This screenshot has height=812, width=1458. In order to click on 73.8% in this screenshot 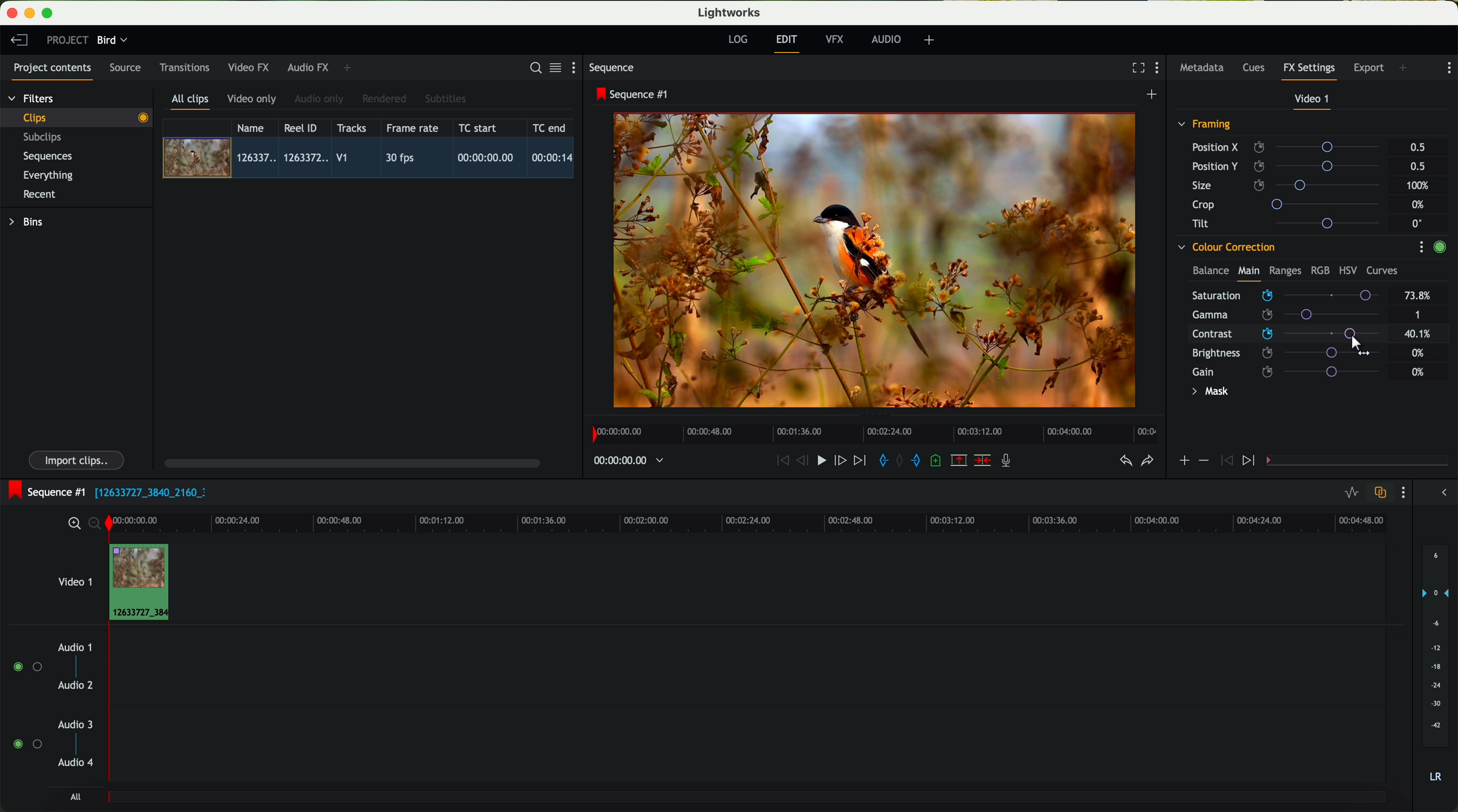, I will do `click(1418, 296)`.